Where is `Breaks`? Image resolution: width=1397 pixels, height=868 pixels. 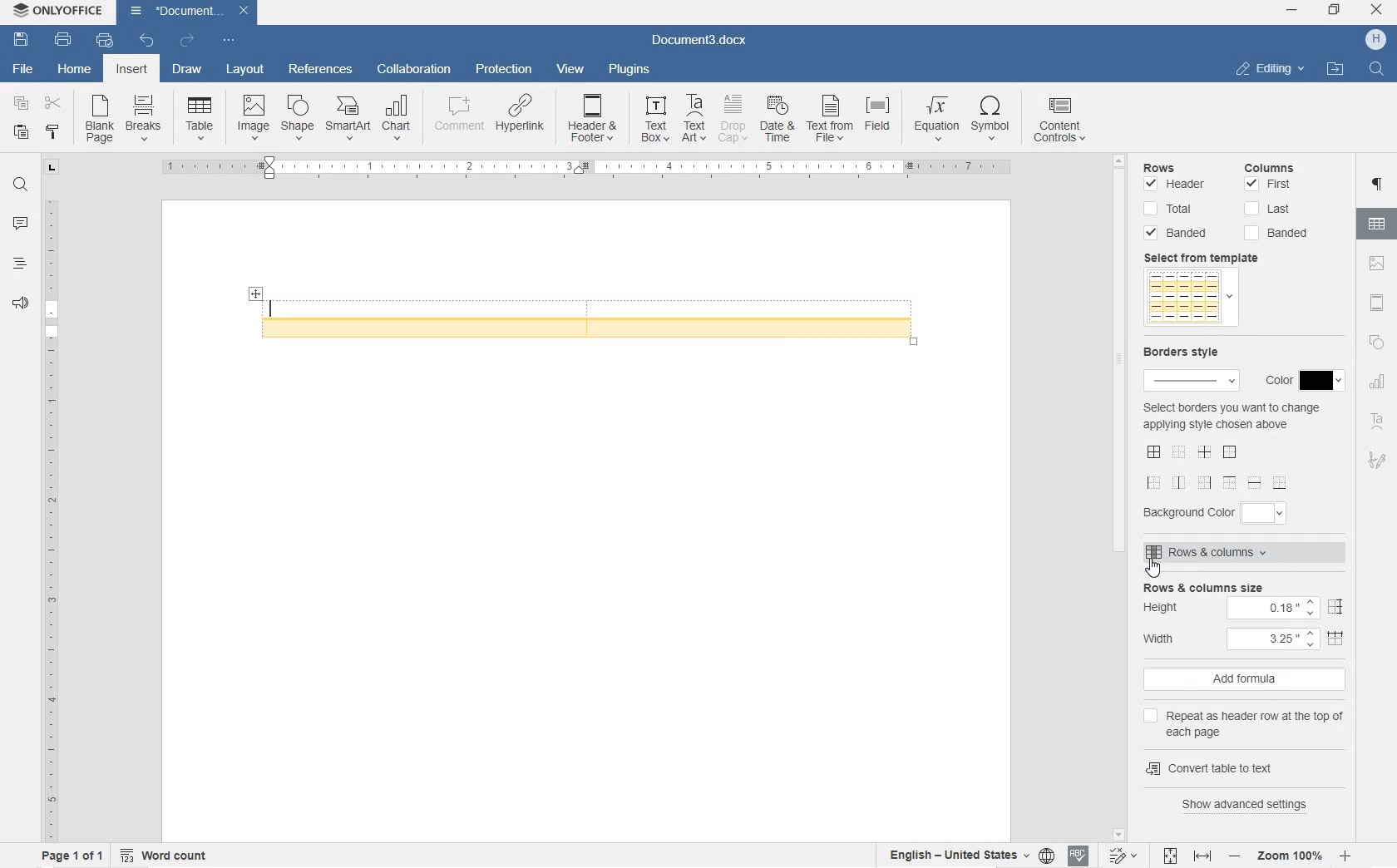
Breaks is located at coordinates (144, 117).